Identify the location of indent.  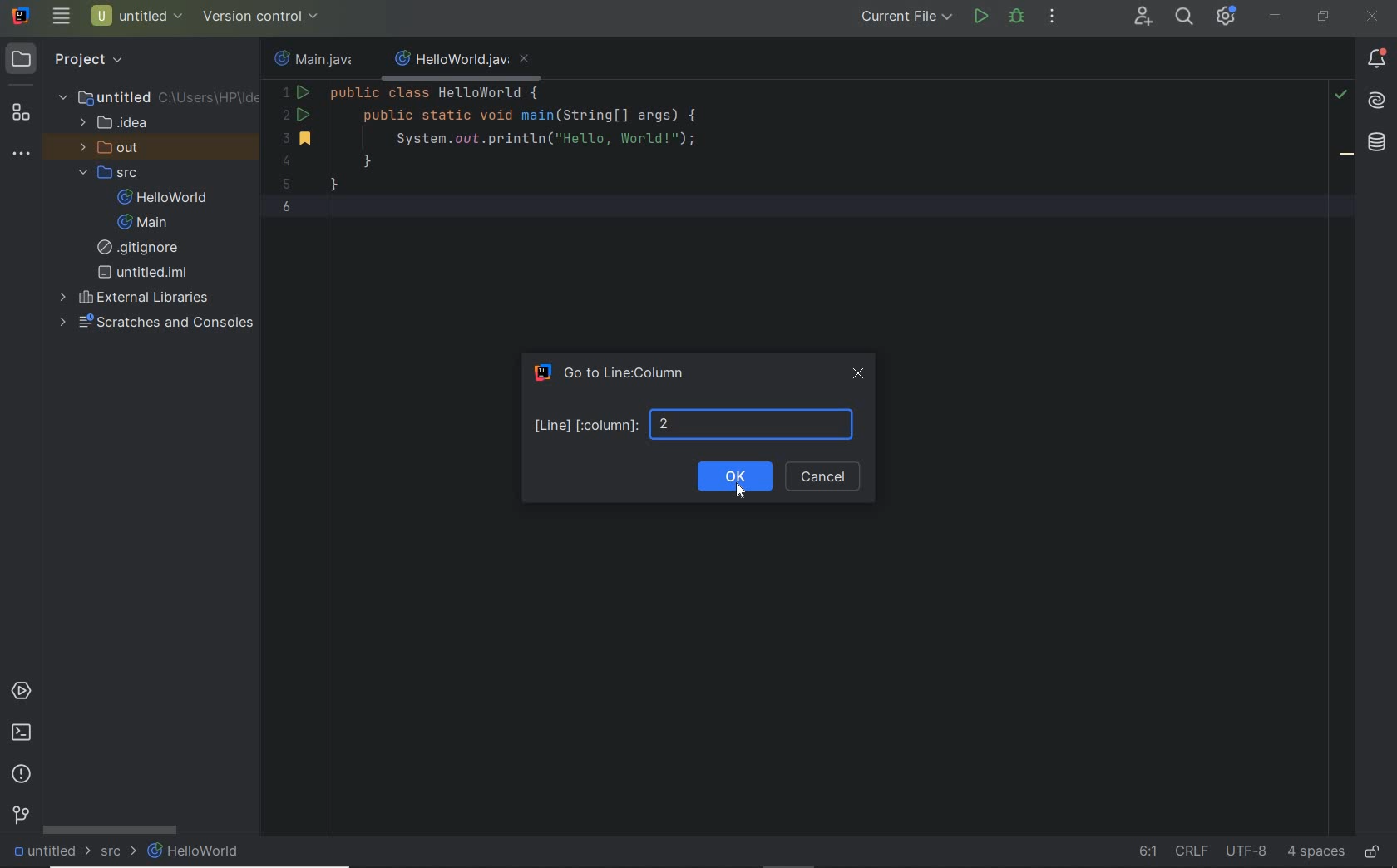
(1316, 854).